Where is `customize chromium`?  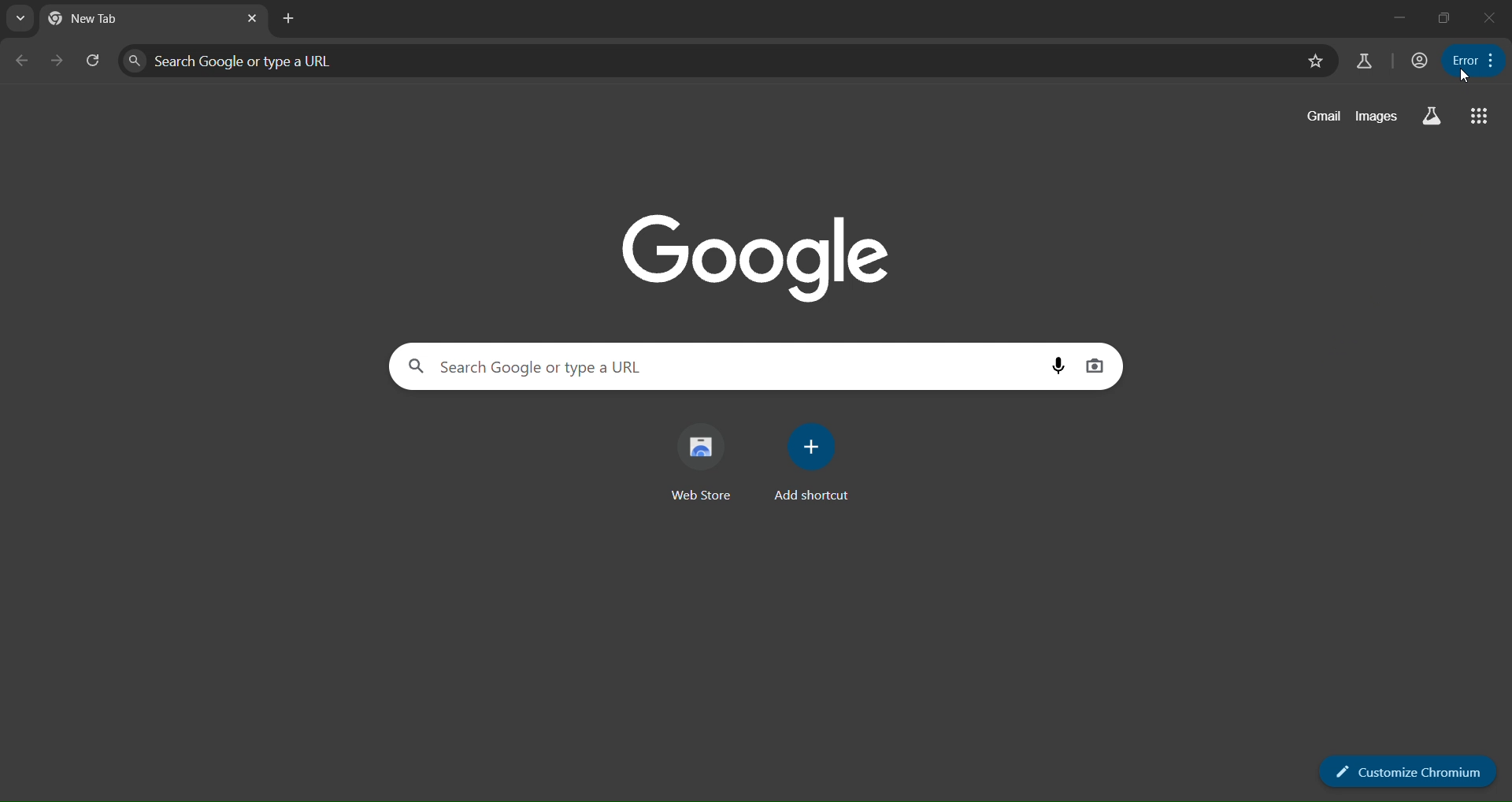
customize chromium is located at coordinates (1407, 770).